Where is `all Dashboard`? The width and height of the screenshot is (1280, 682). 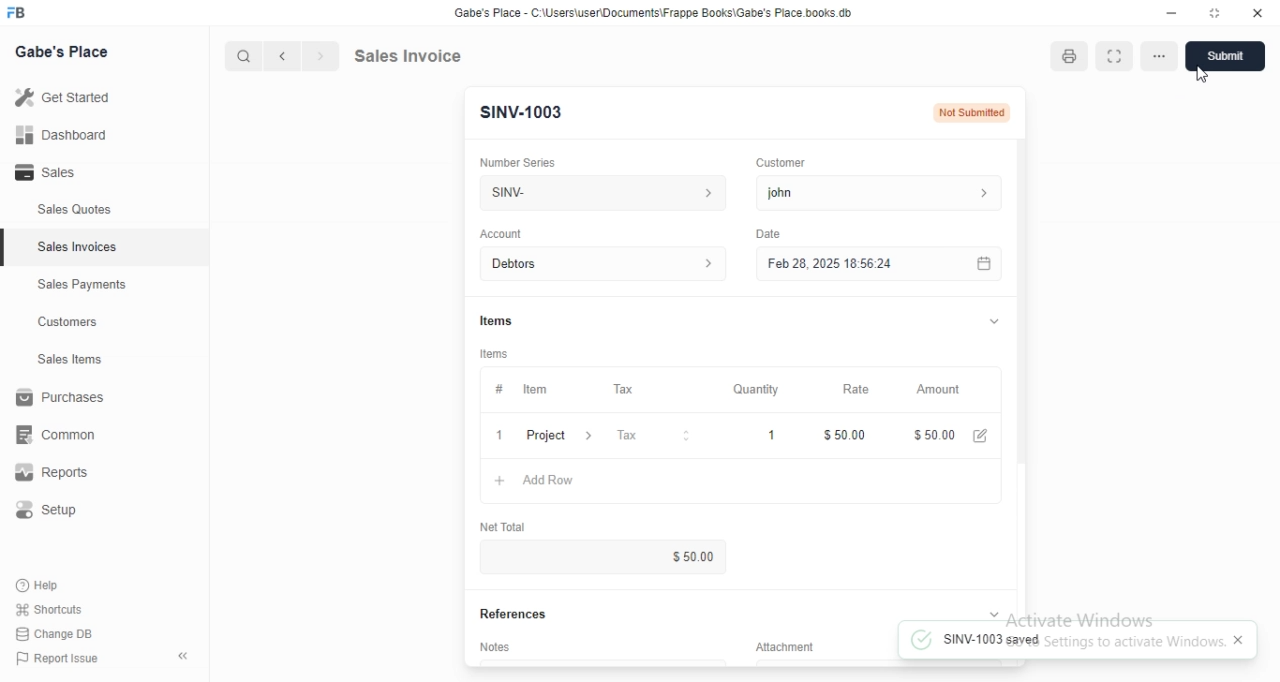 all Dashboard is located at coordinates (69, 141).